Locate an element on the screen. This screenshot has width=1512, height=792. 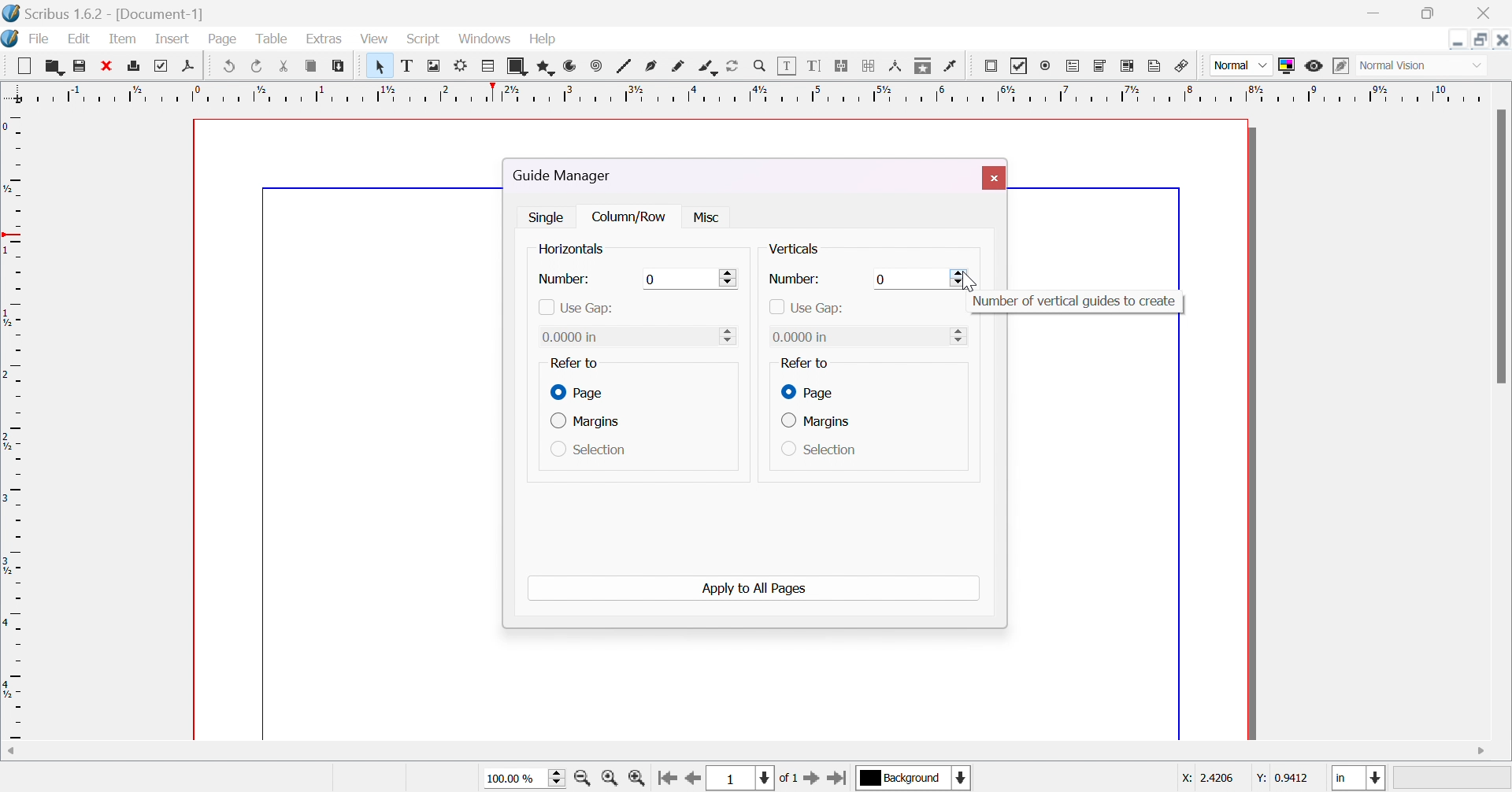
slider is located at coordinates (731, 276).